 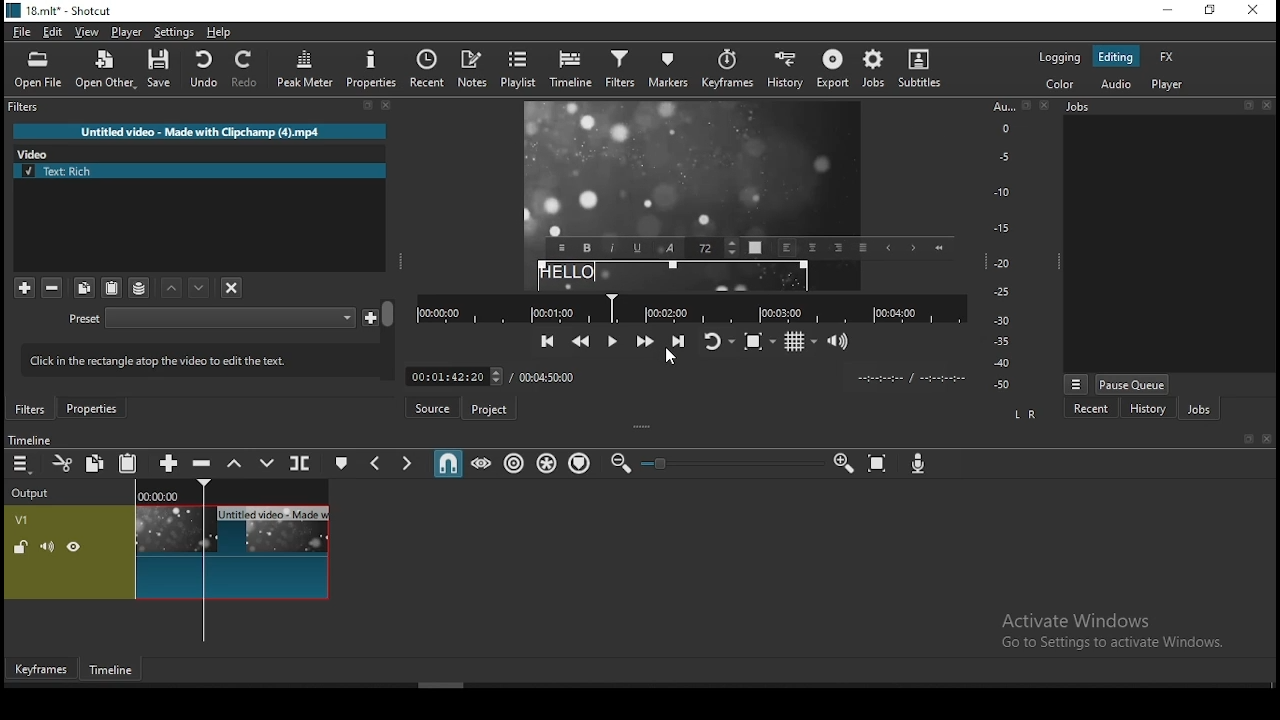 What do you see at coordinates (111, 288) in the screenshot?
I see `paste` at bounding box center [111, 288].